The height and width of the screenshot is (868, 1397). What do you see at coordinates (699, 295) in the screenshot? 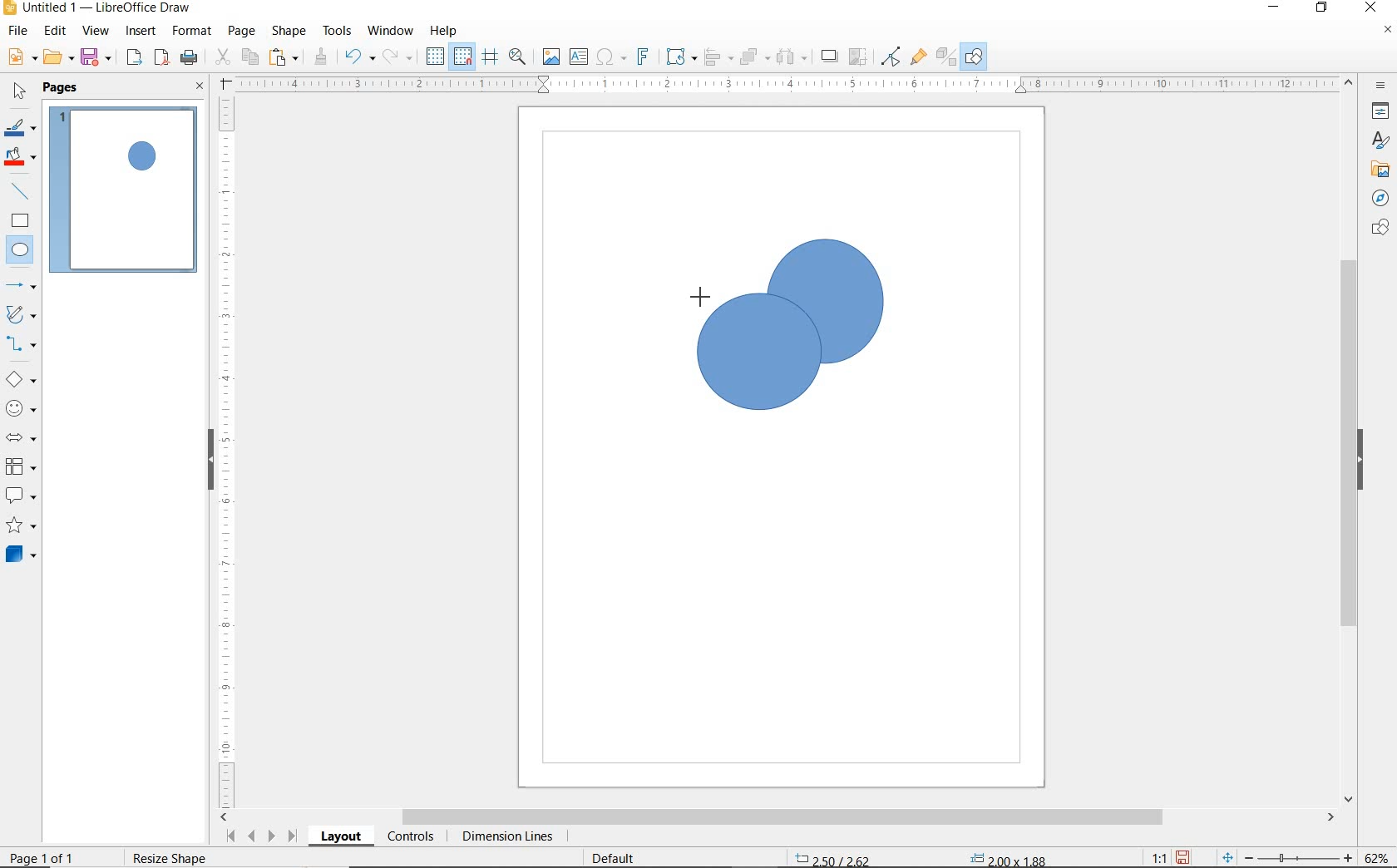
I see `ELLIPSE TOOL AT DRAG` at bounding box center [699, 295].